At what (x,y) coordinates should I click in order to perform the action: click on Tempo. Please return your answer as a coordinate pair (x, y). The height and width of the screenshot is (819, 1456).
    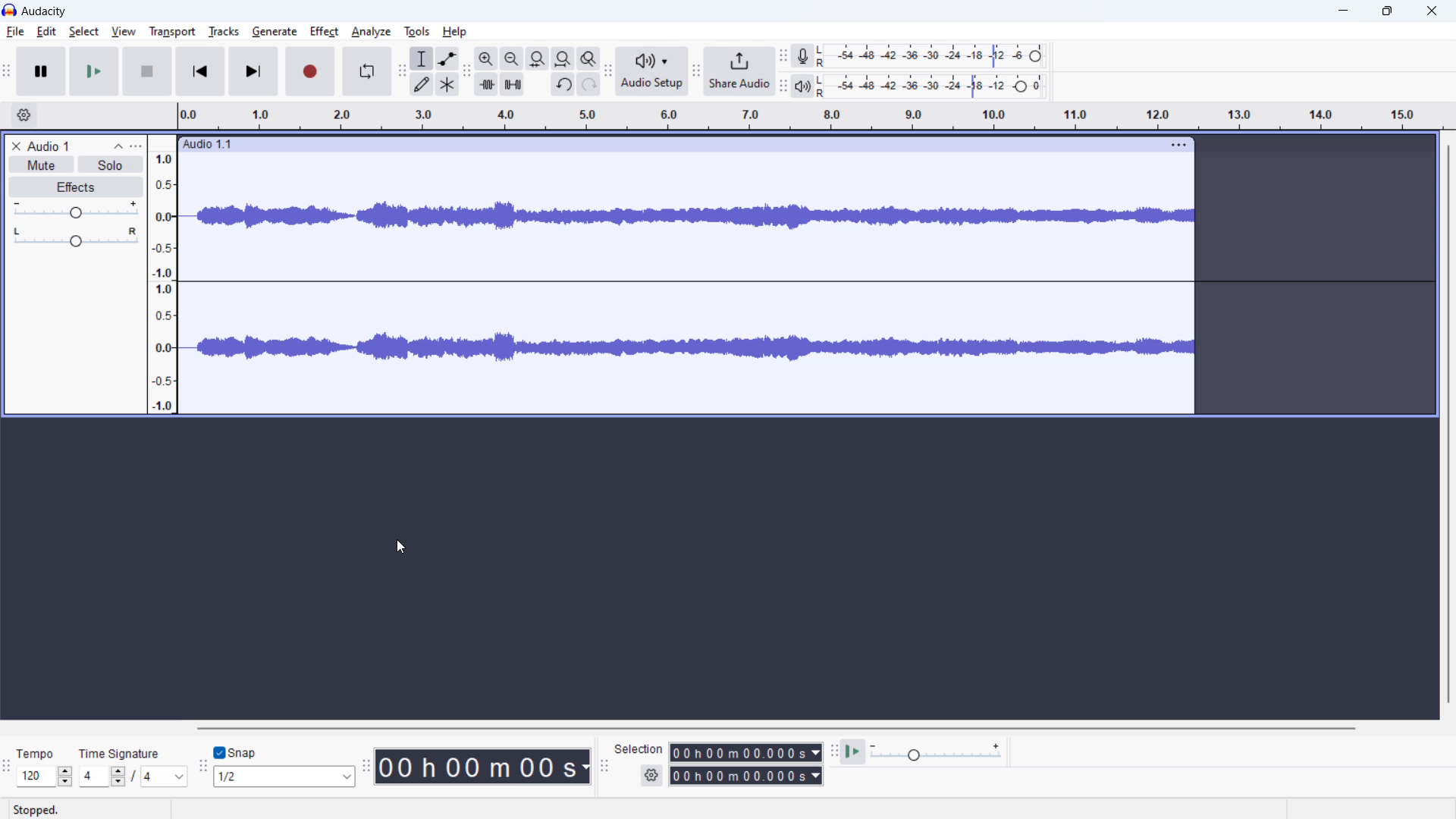
    Looking at the image, I should click on (44, 748).